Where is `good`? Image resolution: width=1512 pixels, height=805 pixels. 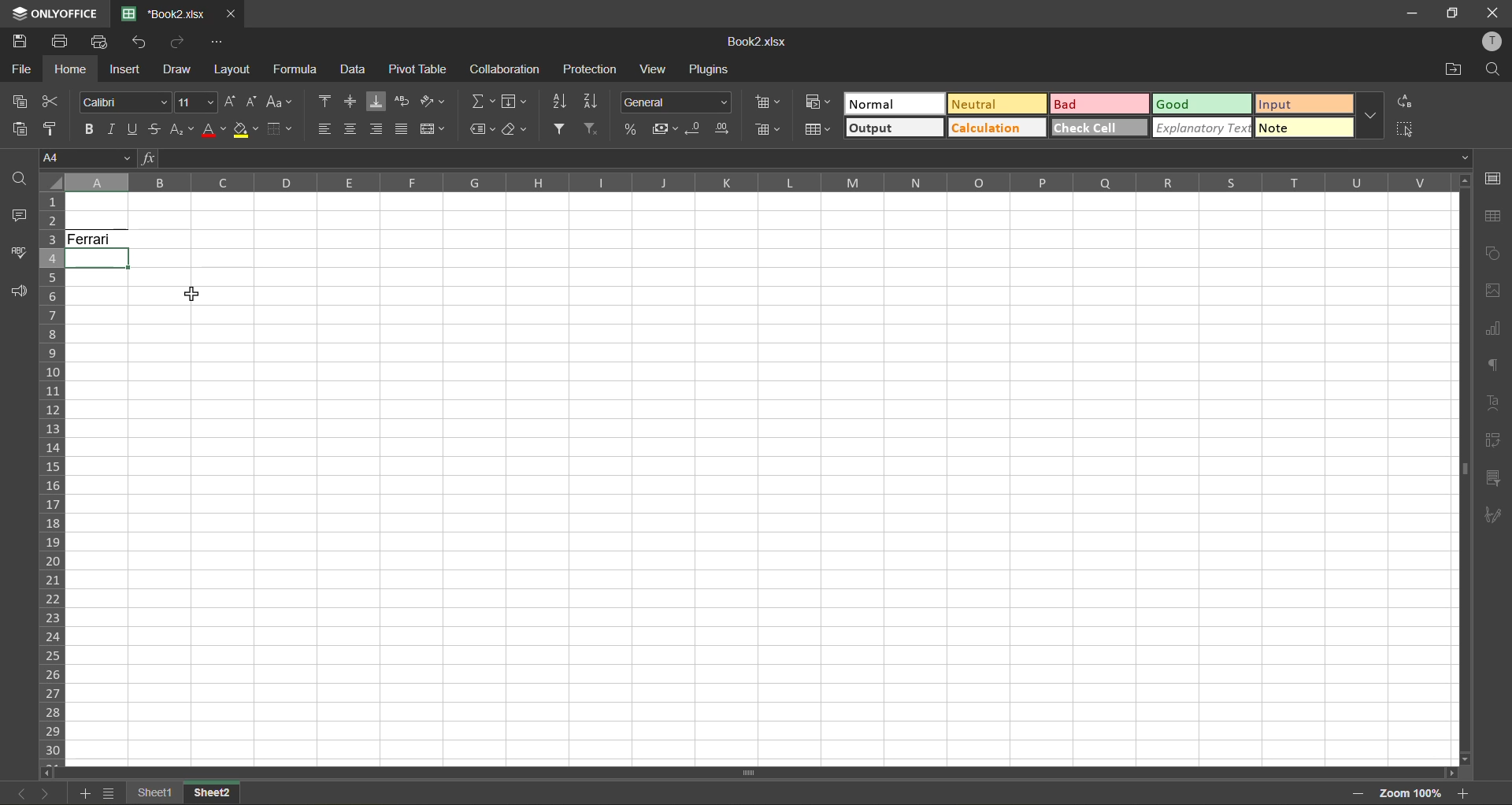
good is located at coordinates (1204, 106).